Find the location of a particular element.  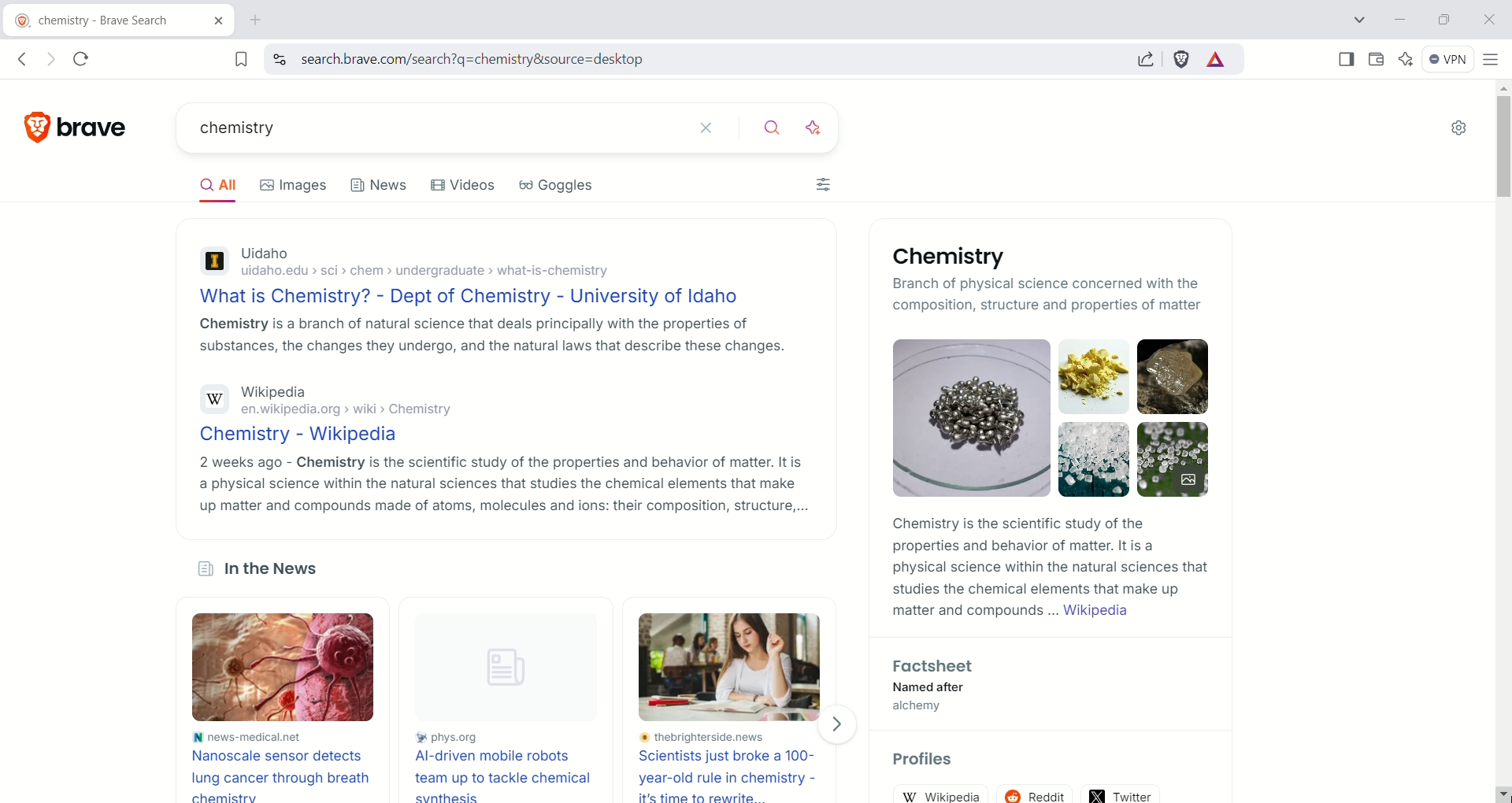

search tabs is located at coordinates (1362, 20).